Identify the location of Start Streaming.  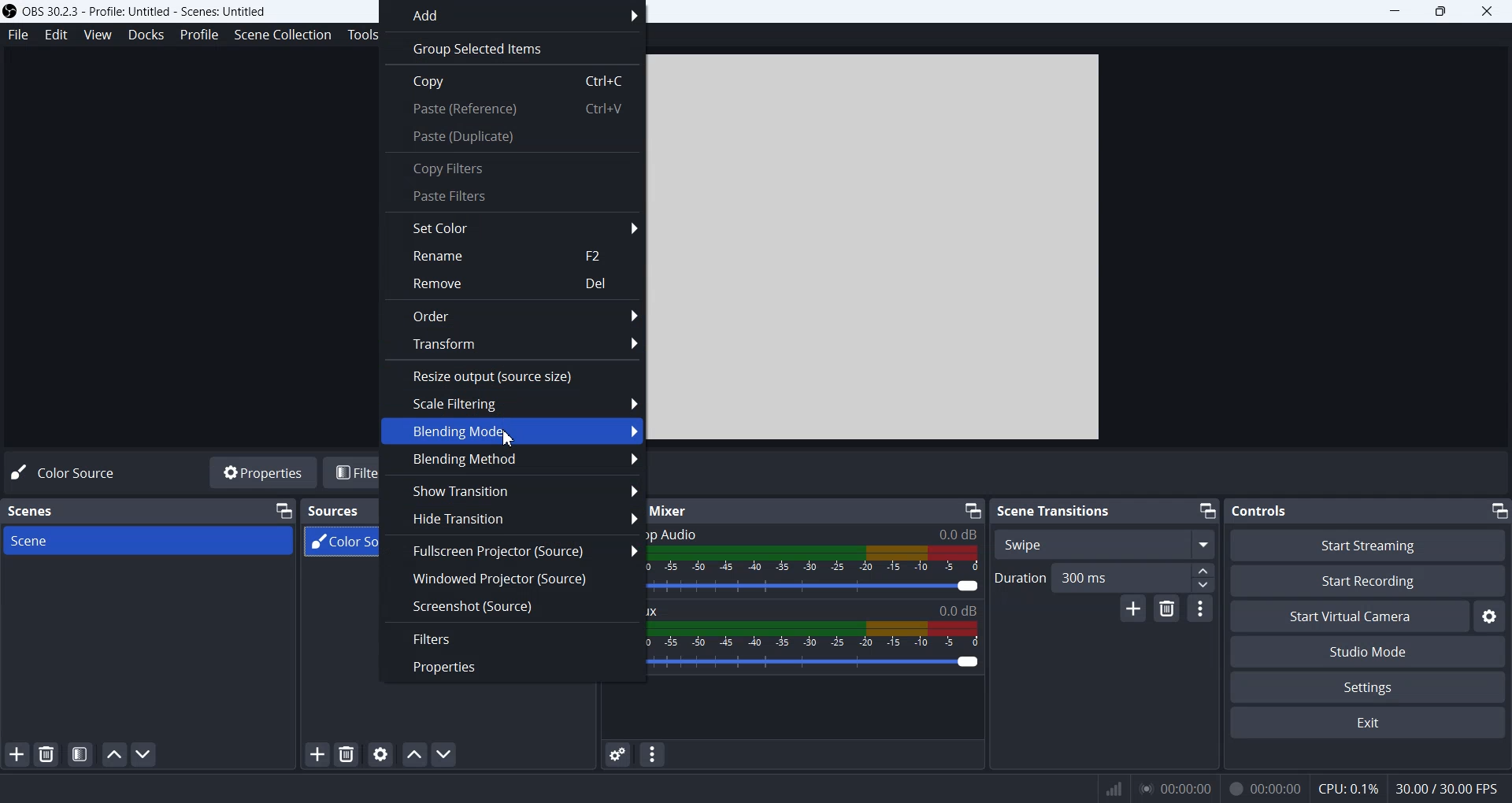
(1367, 545).